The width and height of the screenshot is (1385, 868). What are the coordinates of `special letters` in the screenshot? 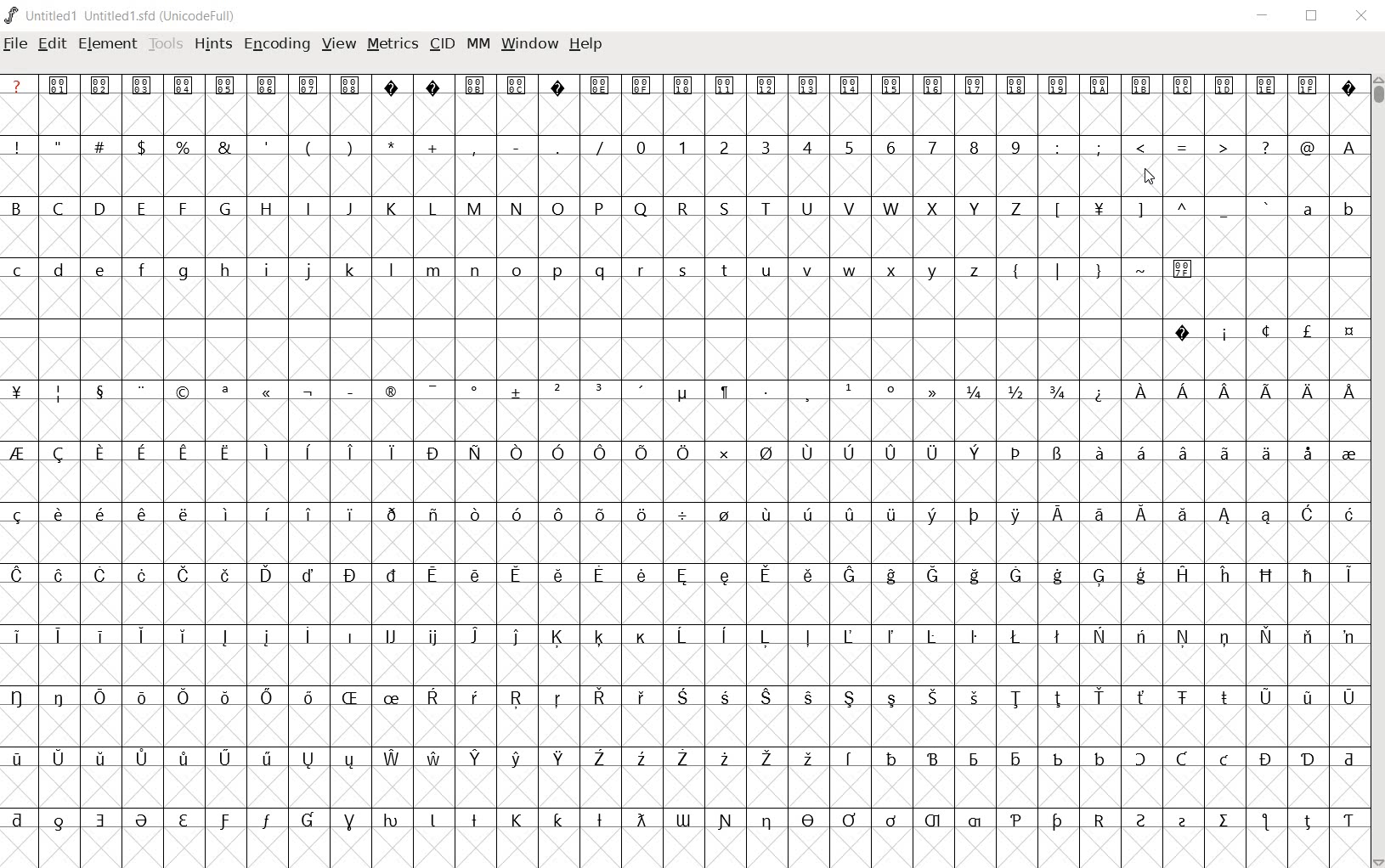 It's located at (1222, 391).